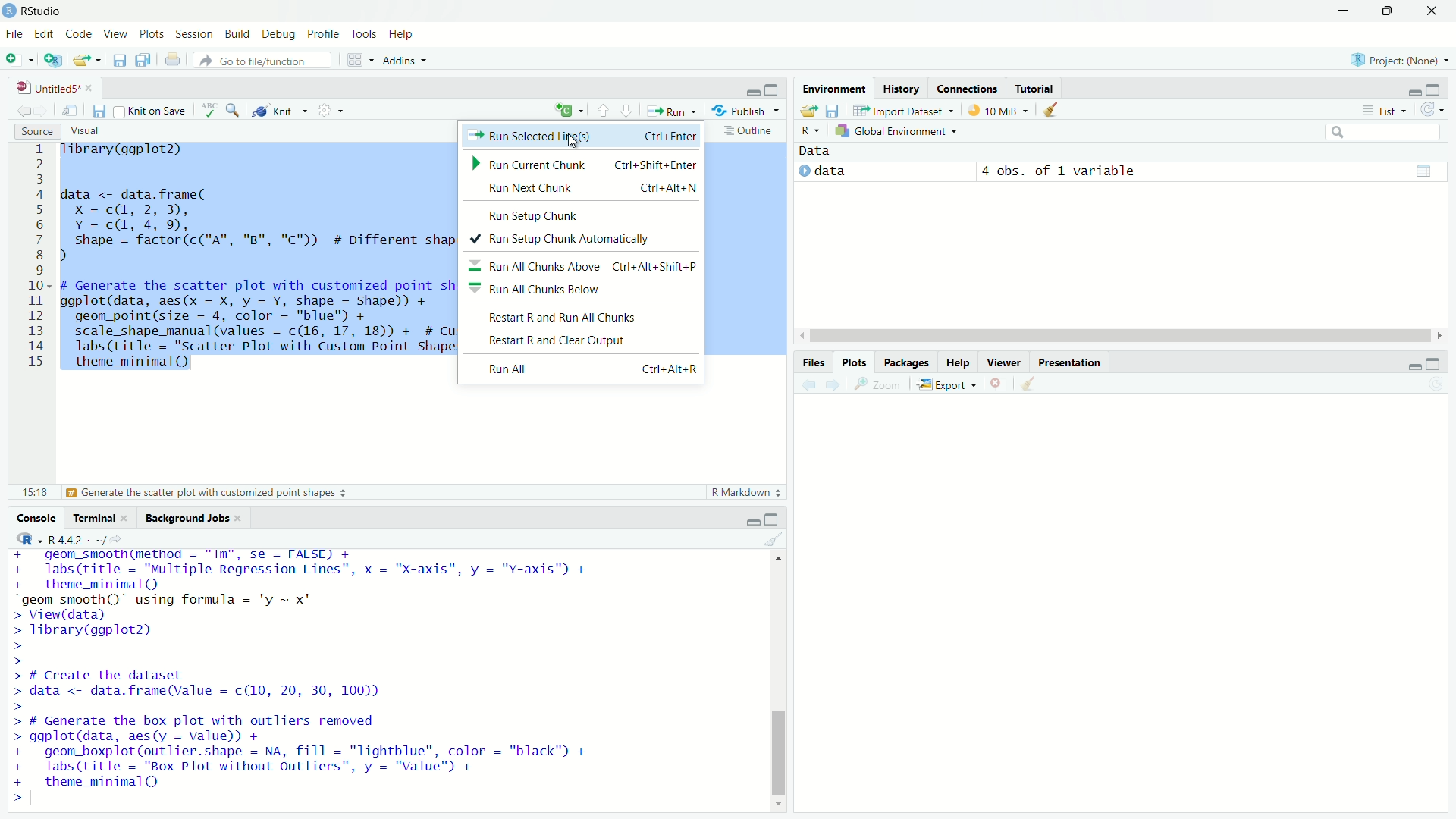  Describe the element at coordinates (774, 539) in the screenshot. I see `Clear console` at that location.